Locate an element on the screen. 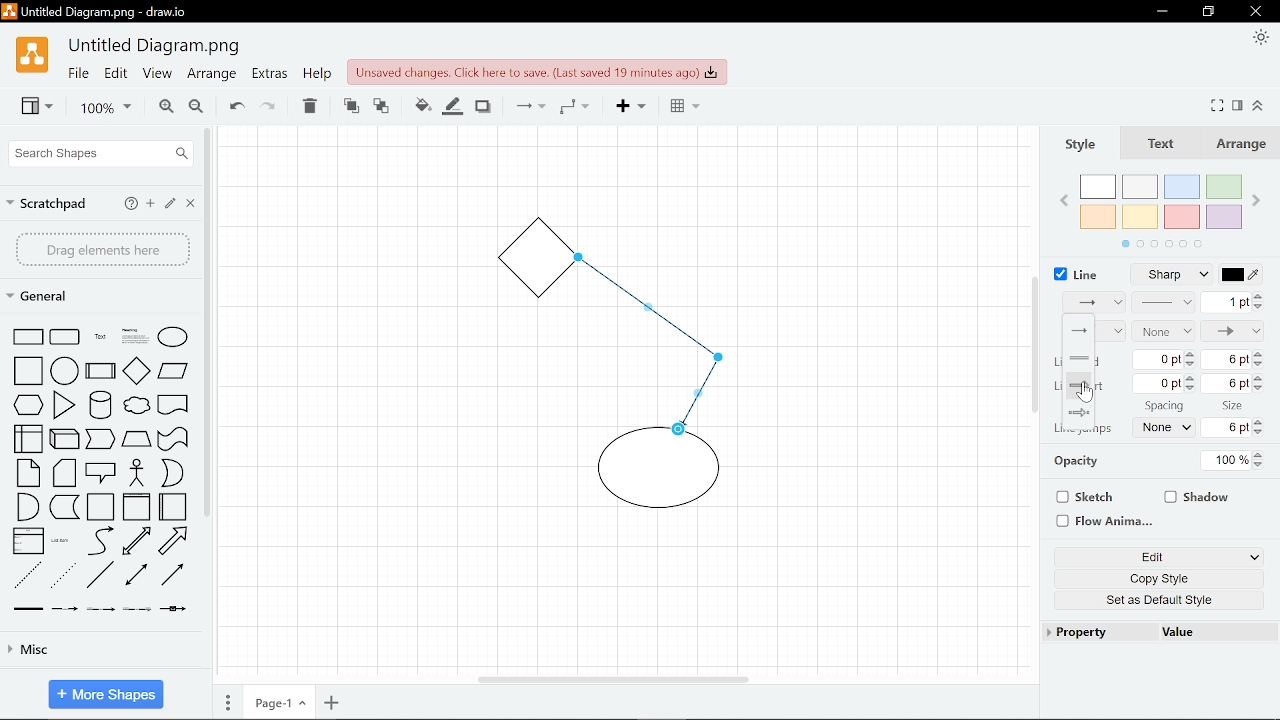 The width and height of the screenshot is (1280, 720). size is located at coordinates (1235, 404).